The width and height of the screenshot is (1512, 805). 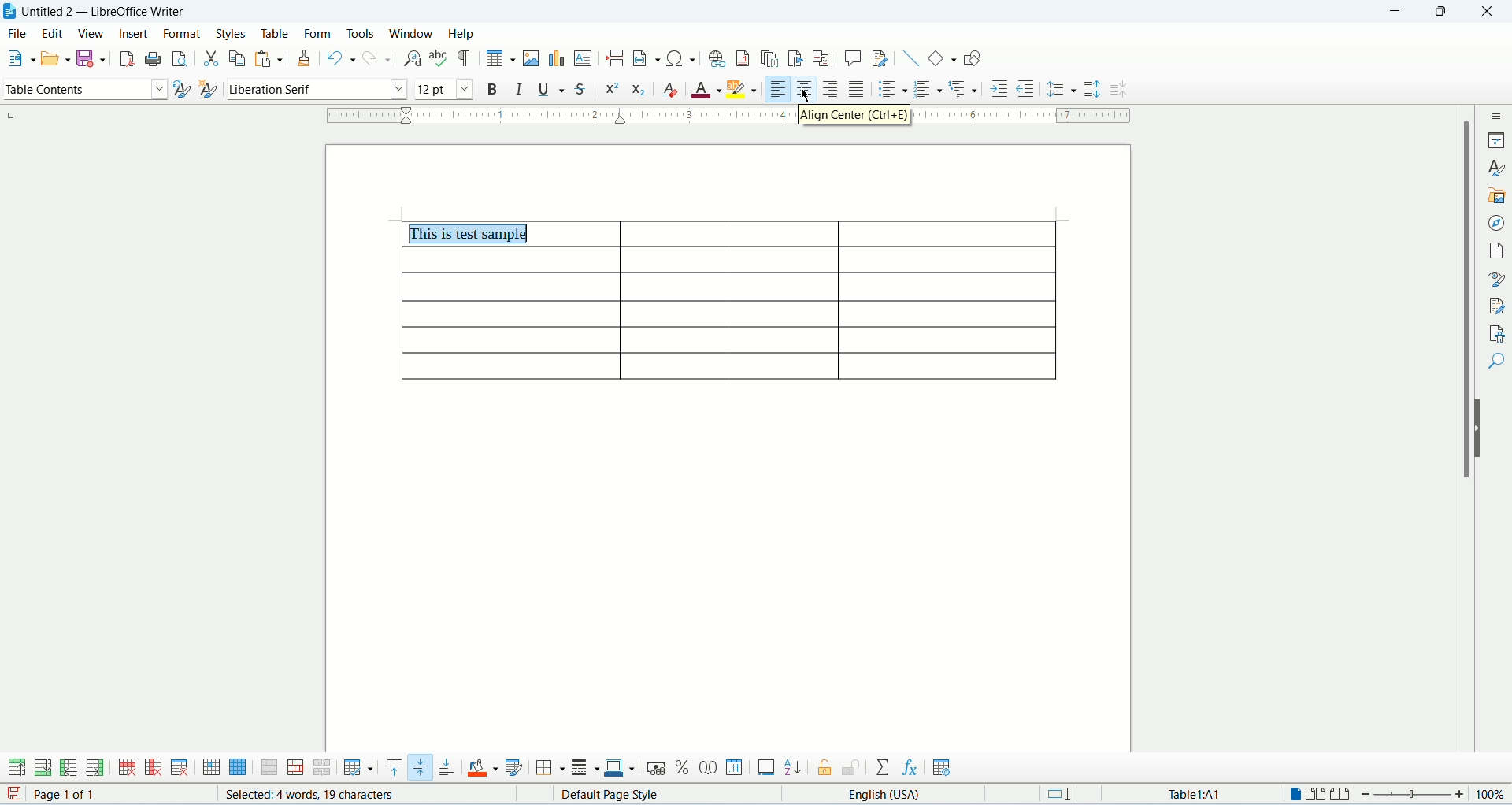 I want to click on close, so click(x=1485, y=12).